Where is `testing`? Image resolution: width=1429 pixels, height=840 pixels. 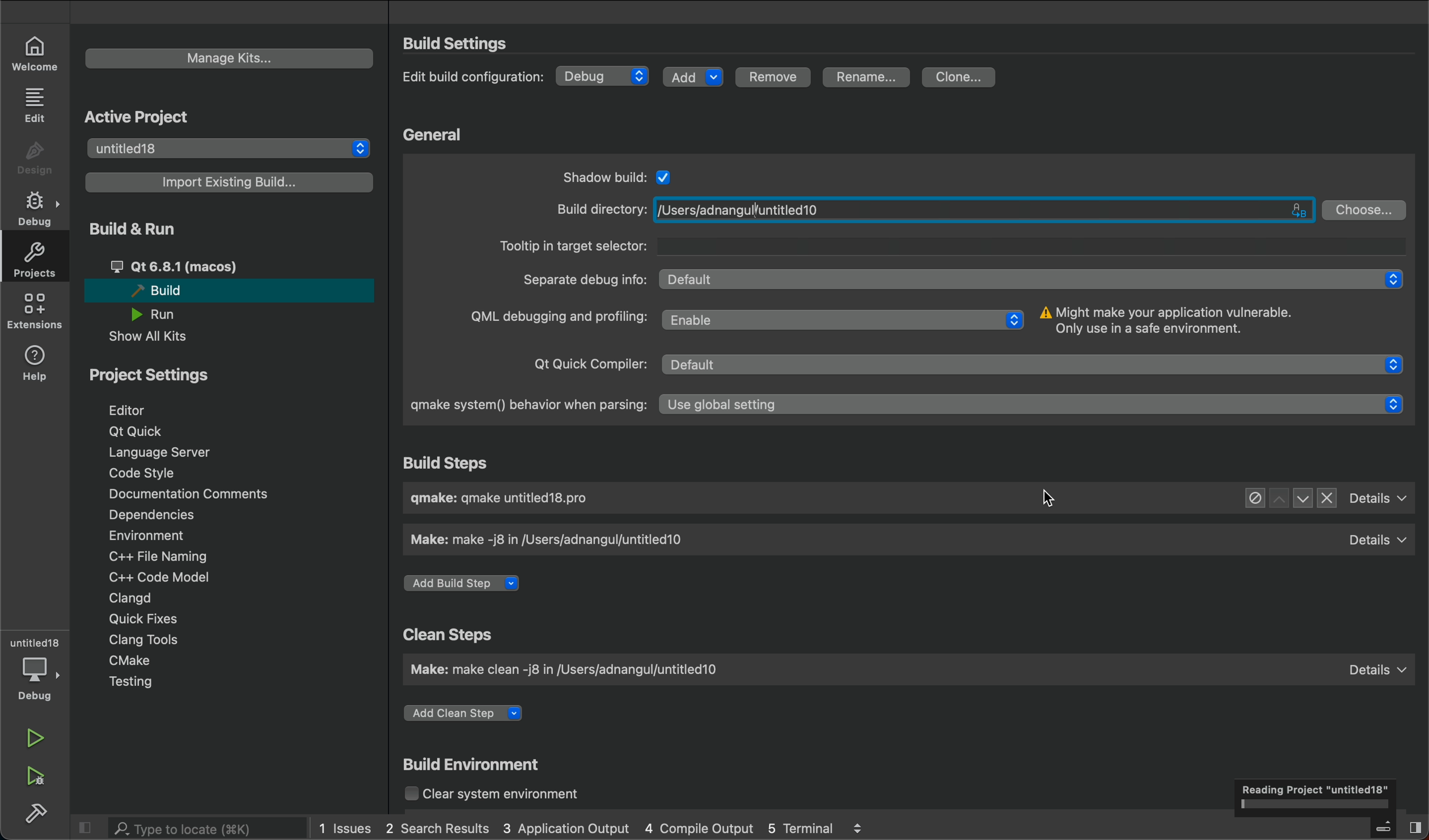
testing is located at coordinates (132, 682).